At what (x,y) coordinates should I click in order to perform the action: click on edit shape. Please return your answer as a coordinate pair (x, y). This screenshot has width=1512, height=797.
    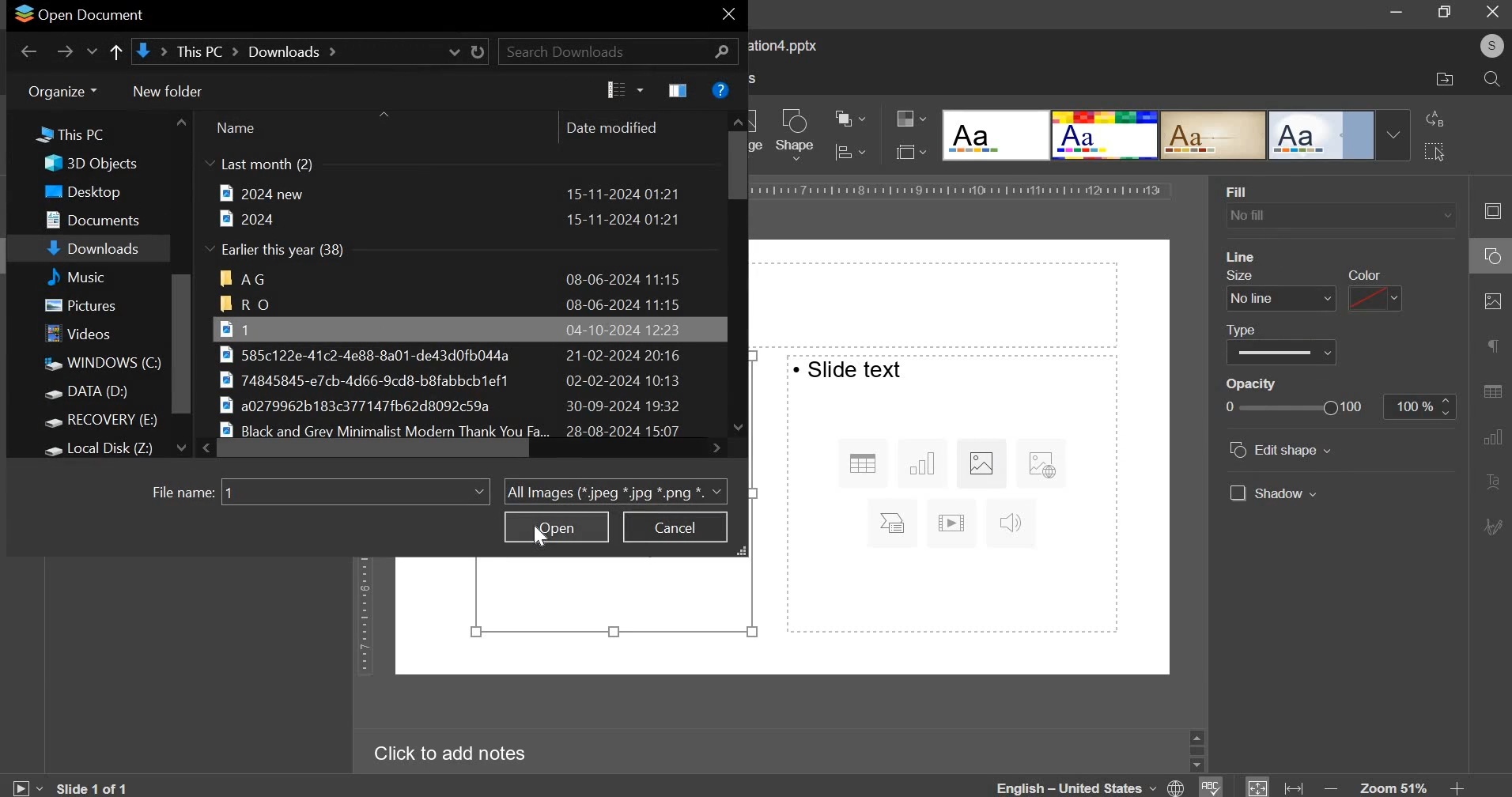
    Looking at the image, I should click on (1282, 450).